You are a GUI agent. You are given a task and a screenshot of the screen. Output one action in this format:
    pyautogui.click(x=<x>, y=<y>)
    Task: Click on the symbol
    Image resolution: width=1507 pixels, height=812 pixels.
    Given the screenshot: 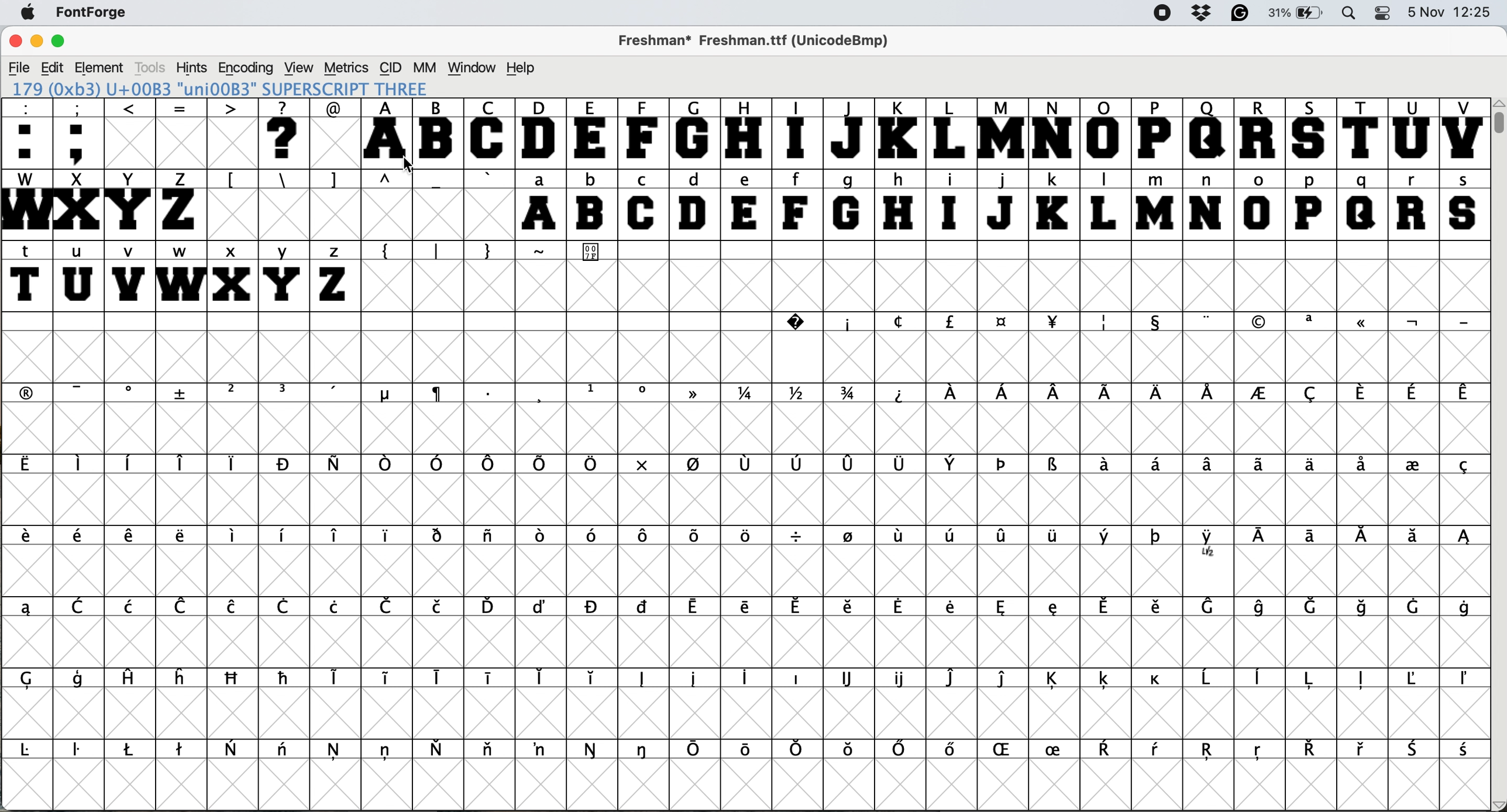 What is the action you would take?
    pyautogui.click(x=804, y=607)
    